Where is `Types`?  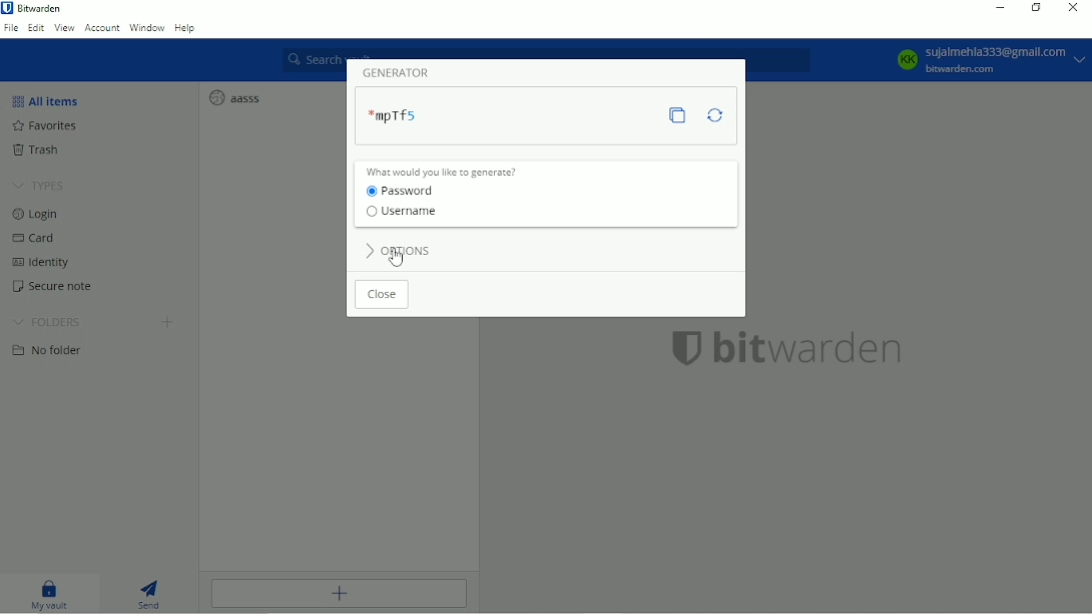 Types is located at coordinates (42, 185).